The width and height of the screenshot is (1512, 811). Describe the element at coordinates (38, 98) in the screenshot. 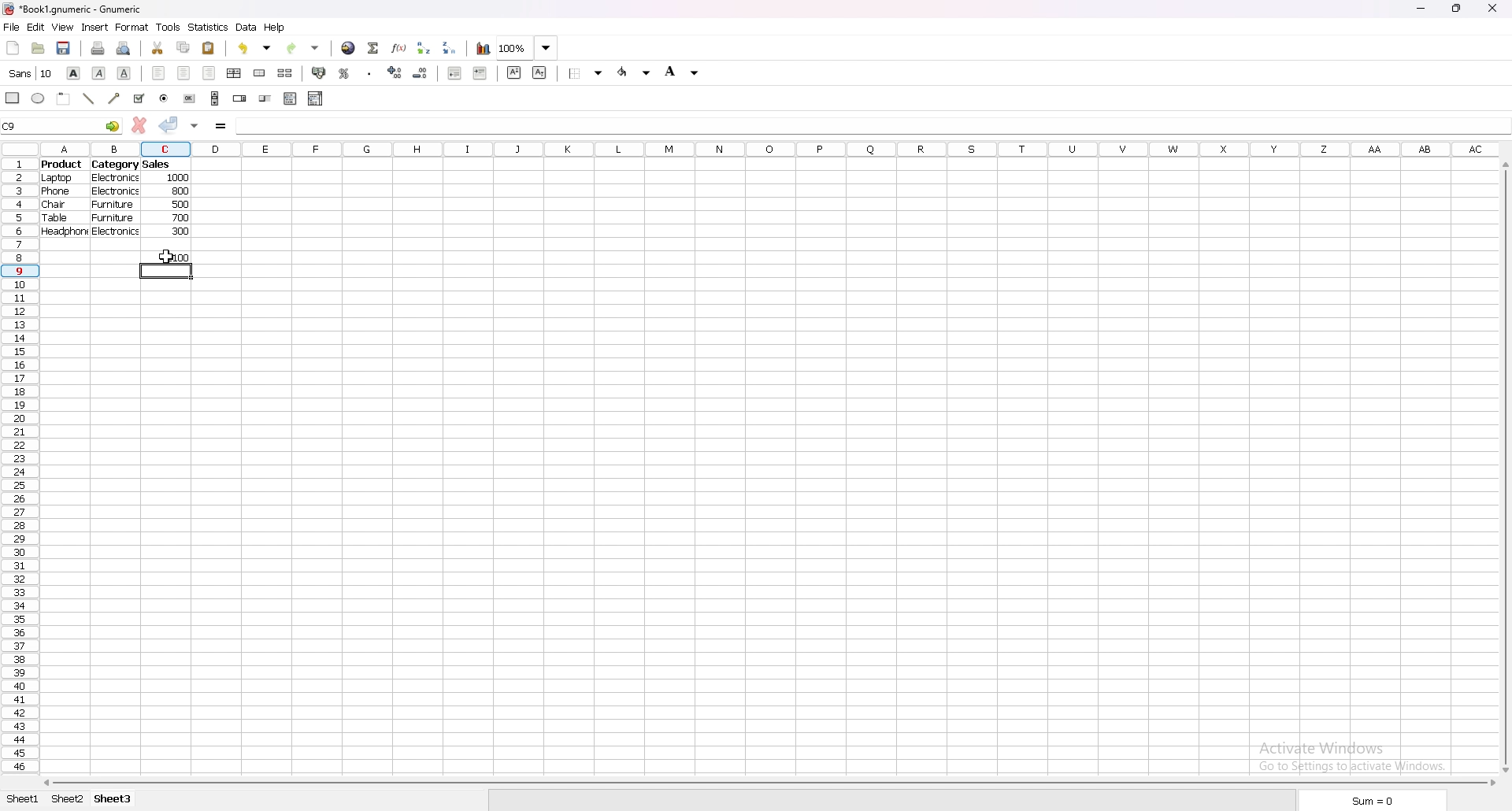

I see `ellipse` at that location.